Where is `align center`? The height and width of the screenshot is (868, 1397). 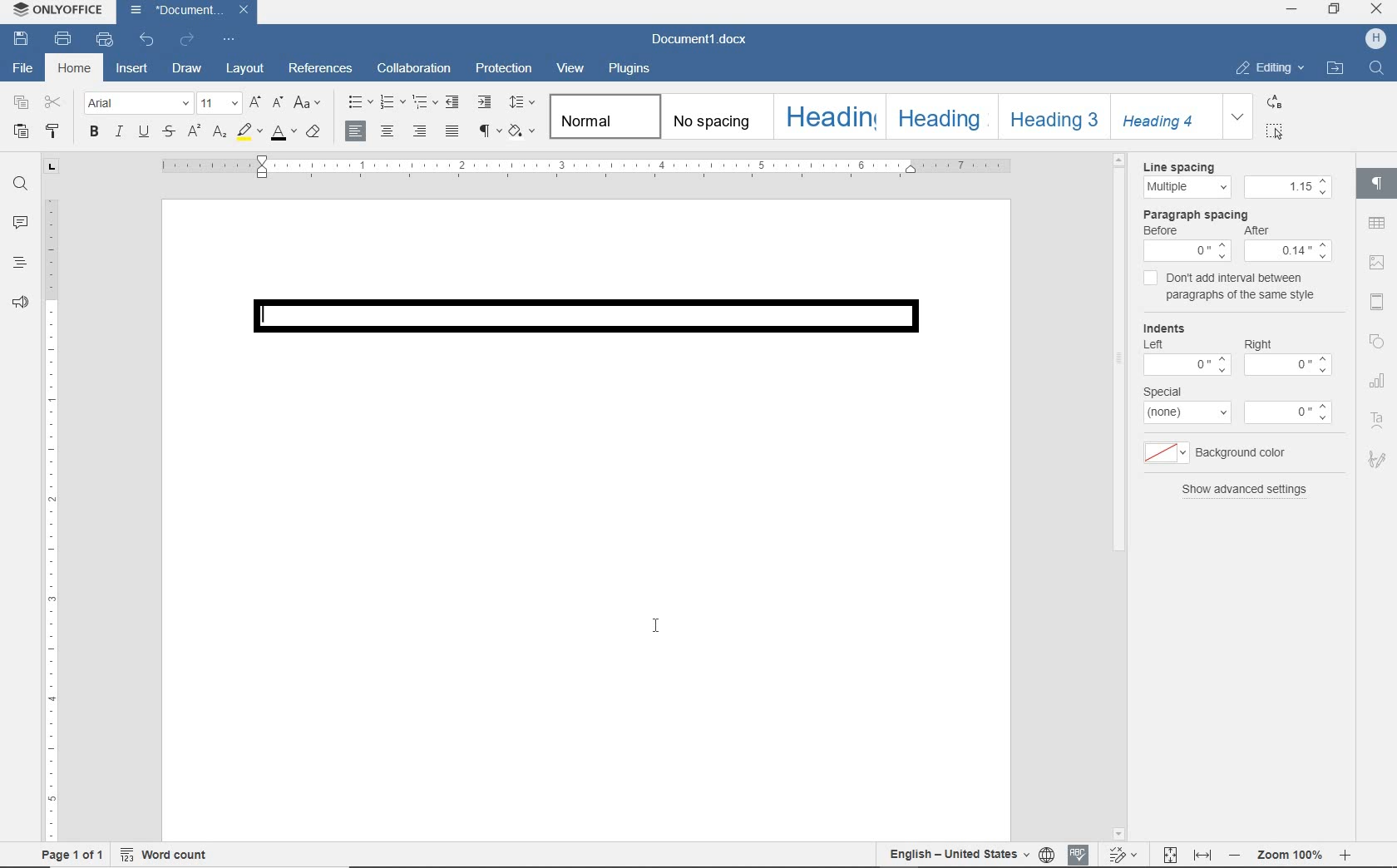 align center is located at coordinates (388, 132).